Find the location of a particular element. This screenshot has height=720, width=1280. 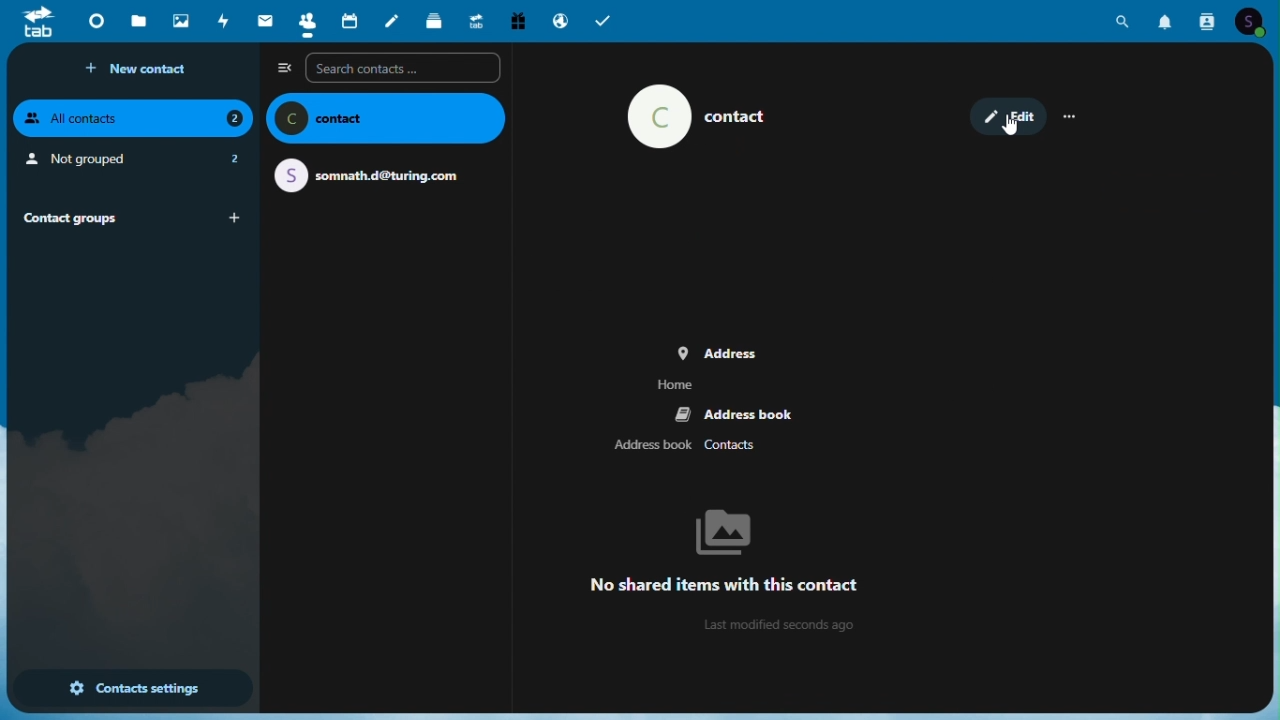

Mail is located at coordinates (261, 22).